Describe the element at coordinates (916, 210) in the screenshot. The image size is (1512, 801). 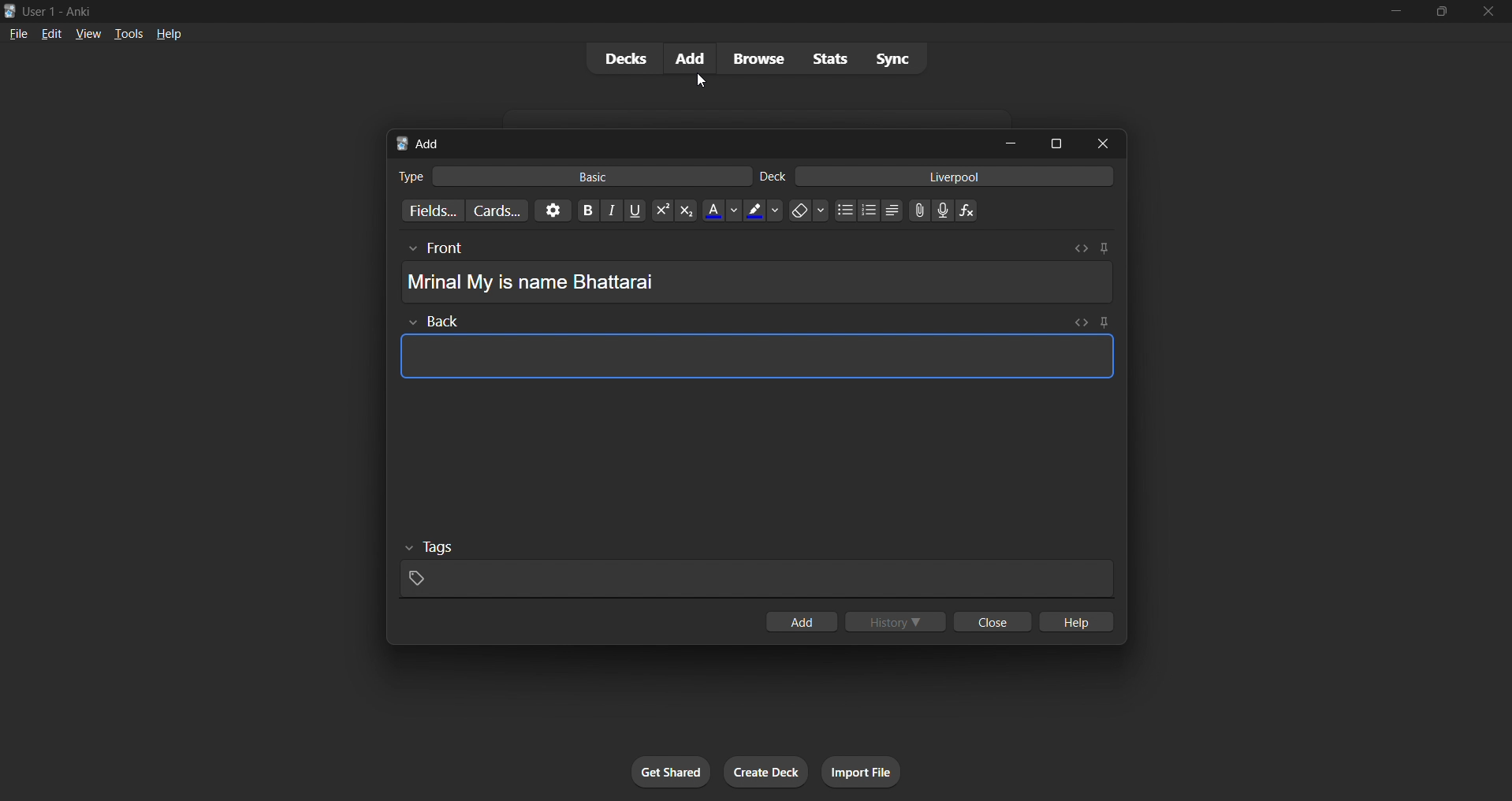
I see `insert photos` at that location.